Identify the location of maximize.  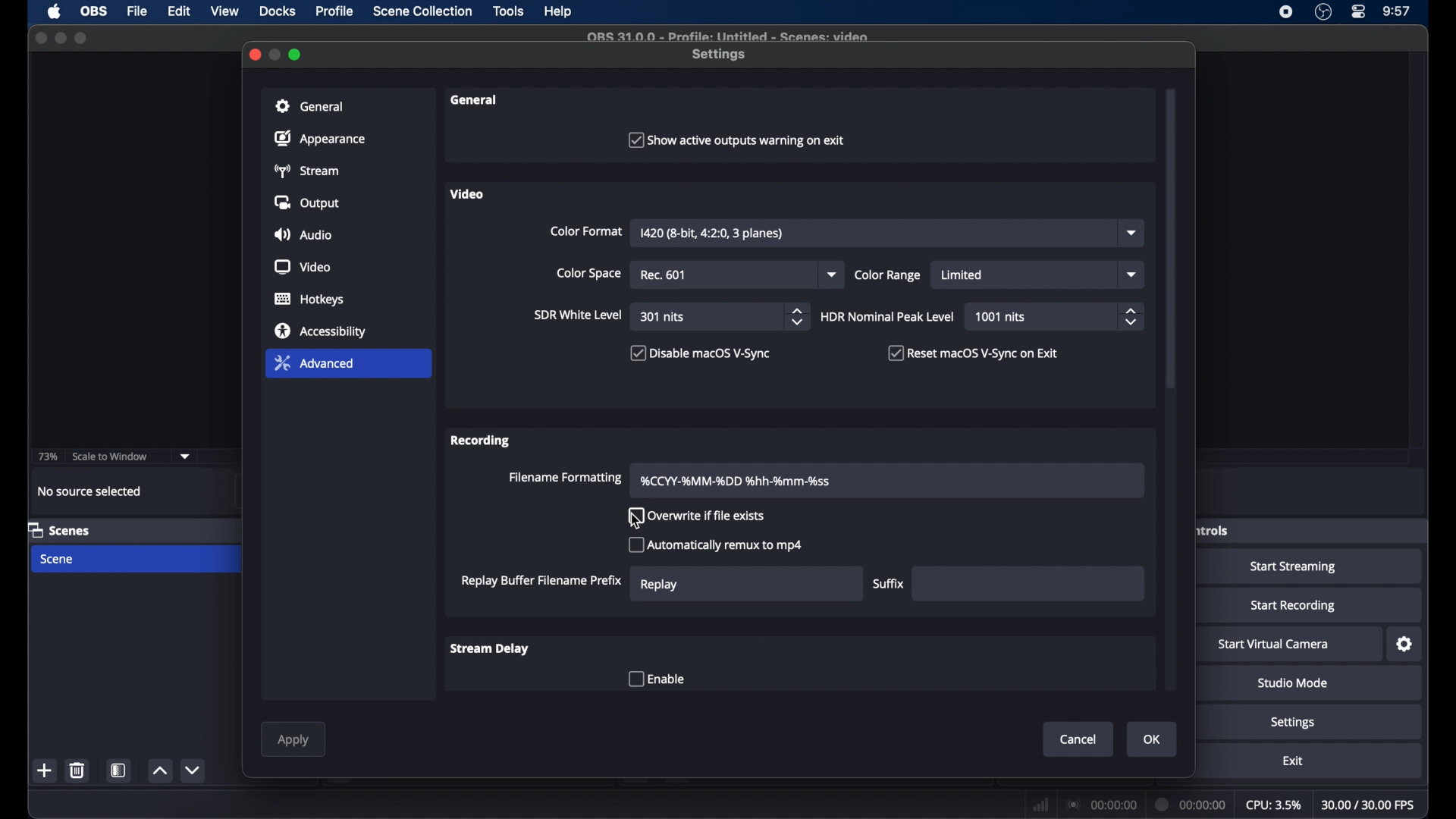
(80, 39).